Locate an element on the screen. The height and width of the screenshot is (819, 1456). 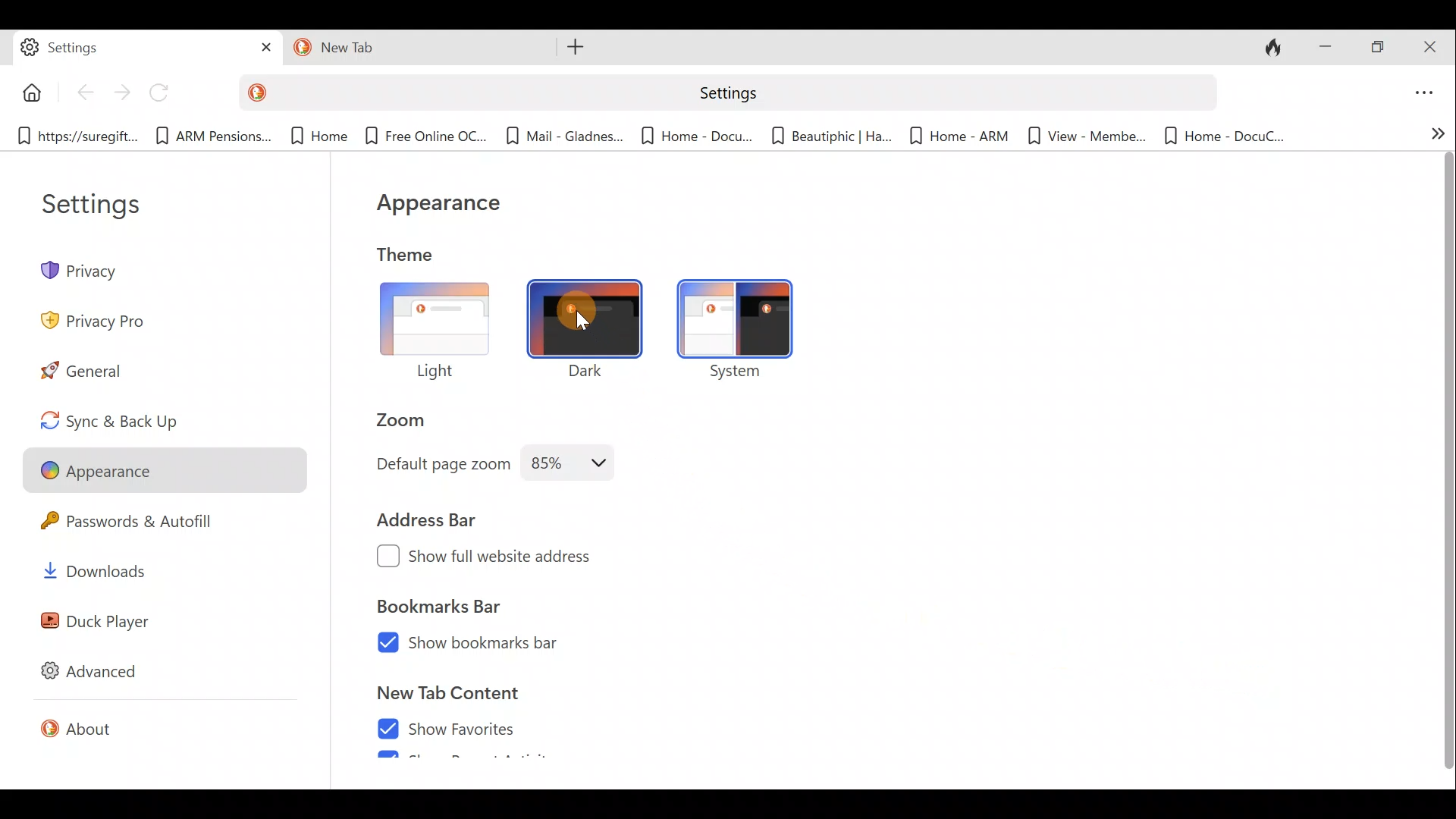
Maximise is located at coordinates (1376, 50).